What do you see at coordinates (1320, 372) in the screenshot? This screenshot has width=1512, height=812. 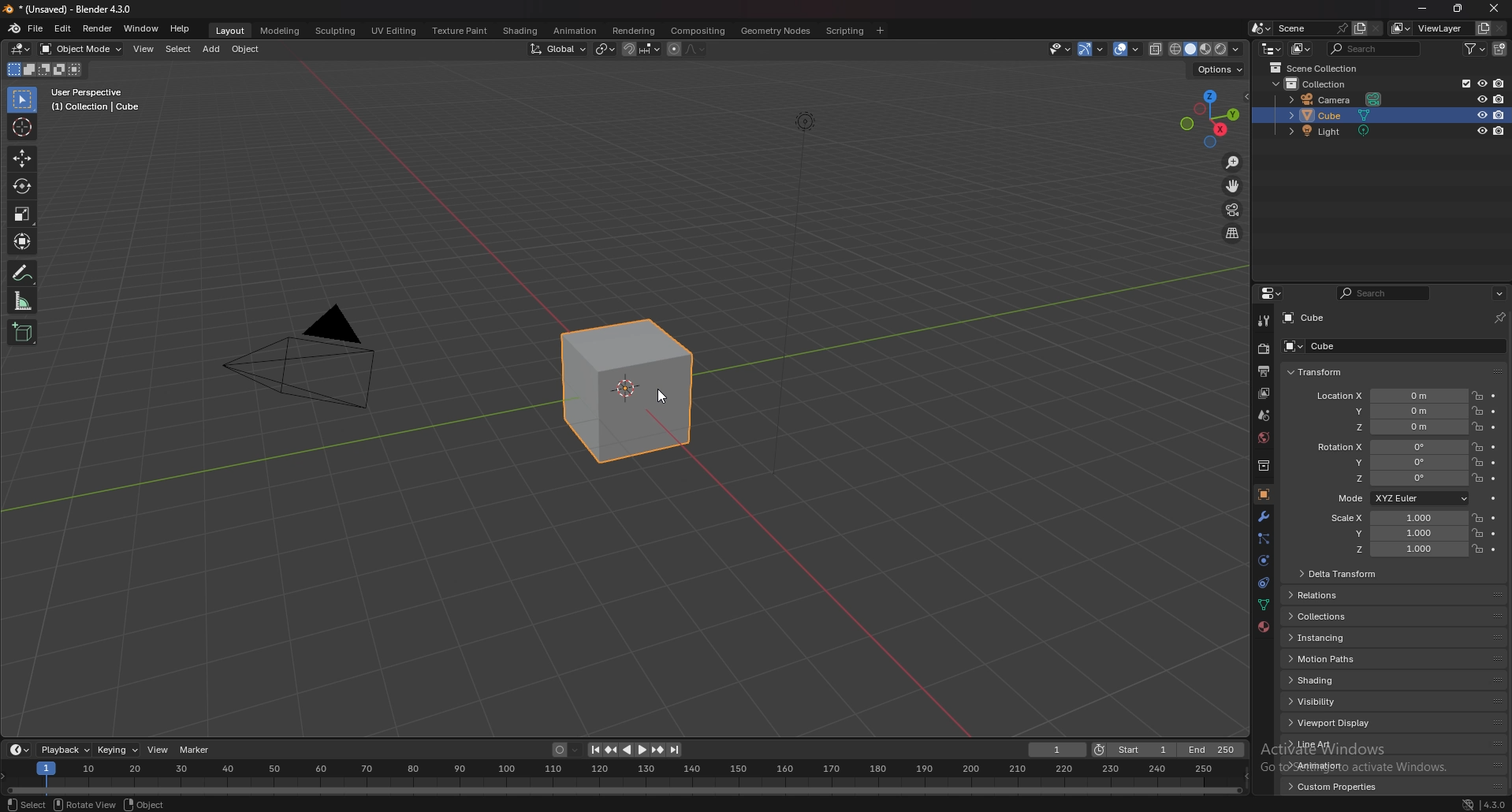 I see `transform` at bounding box center [1320, 372].